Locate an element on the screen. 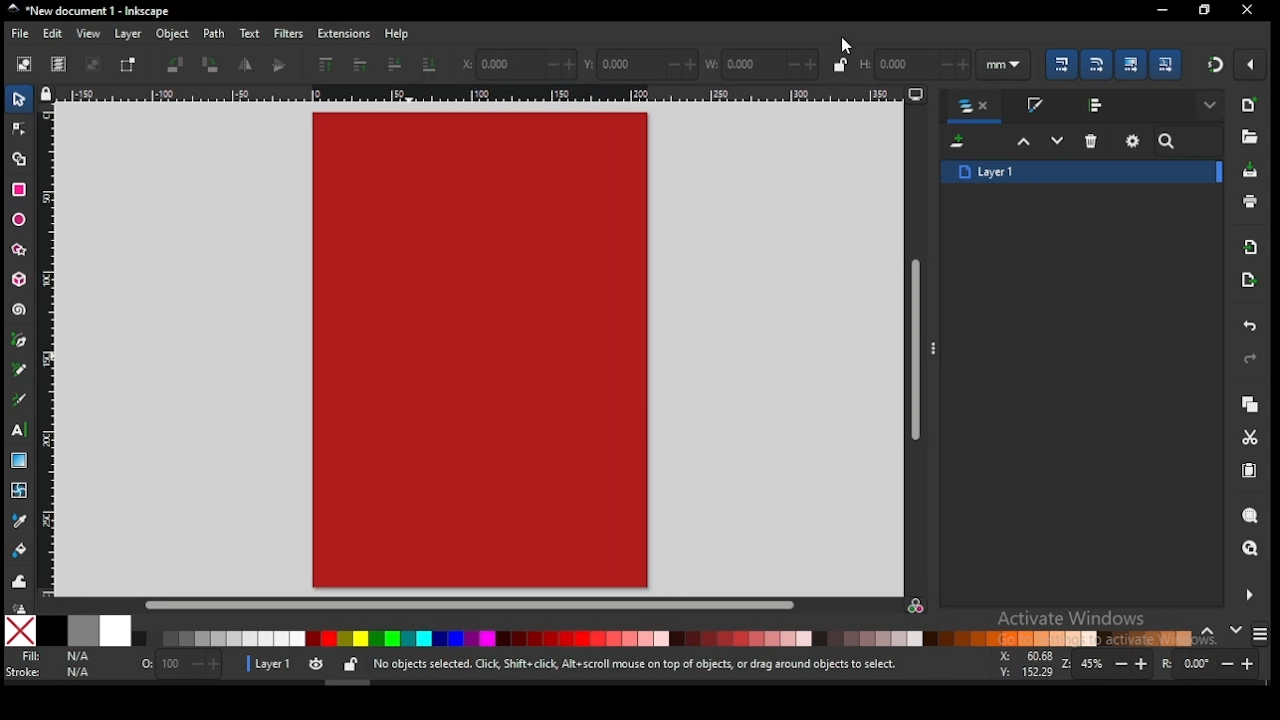 The image size is (1280, 720). text is located at coordinates (249, 33).